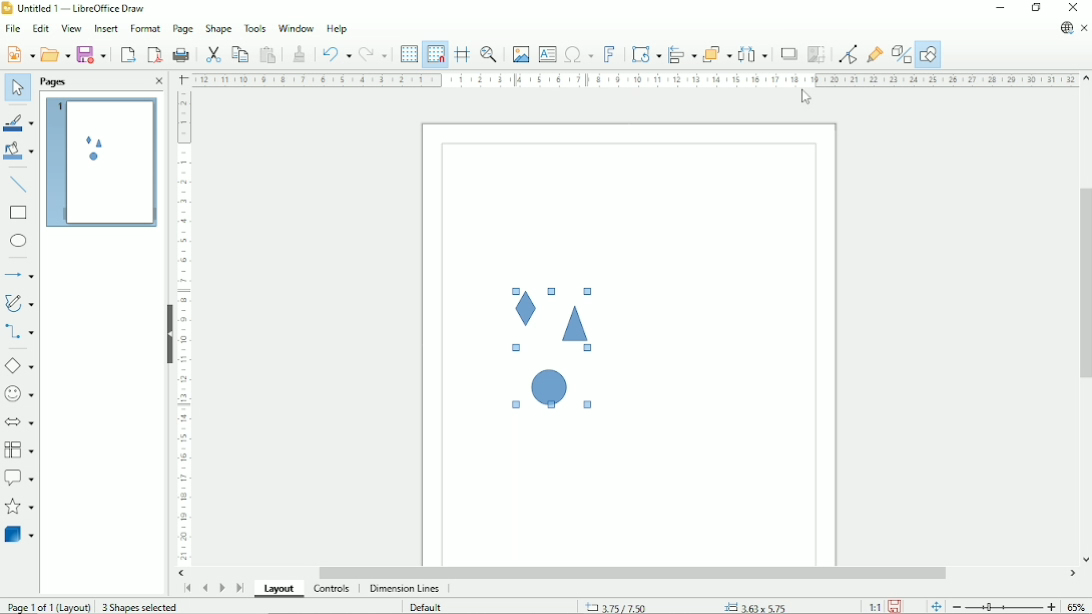 This screenshot has height=614, width=1092. I want to click on Align objects, so click(682, 54).